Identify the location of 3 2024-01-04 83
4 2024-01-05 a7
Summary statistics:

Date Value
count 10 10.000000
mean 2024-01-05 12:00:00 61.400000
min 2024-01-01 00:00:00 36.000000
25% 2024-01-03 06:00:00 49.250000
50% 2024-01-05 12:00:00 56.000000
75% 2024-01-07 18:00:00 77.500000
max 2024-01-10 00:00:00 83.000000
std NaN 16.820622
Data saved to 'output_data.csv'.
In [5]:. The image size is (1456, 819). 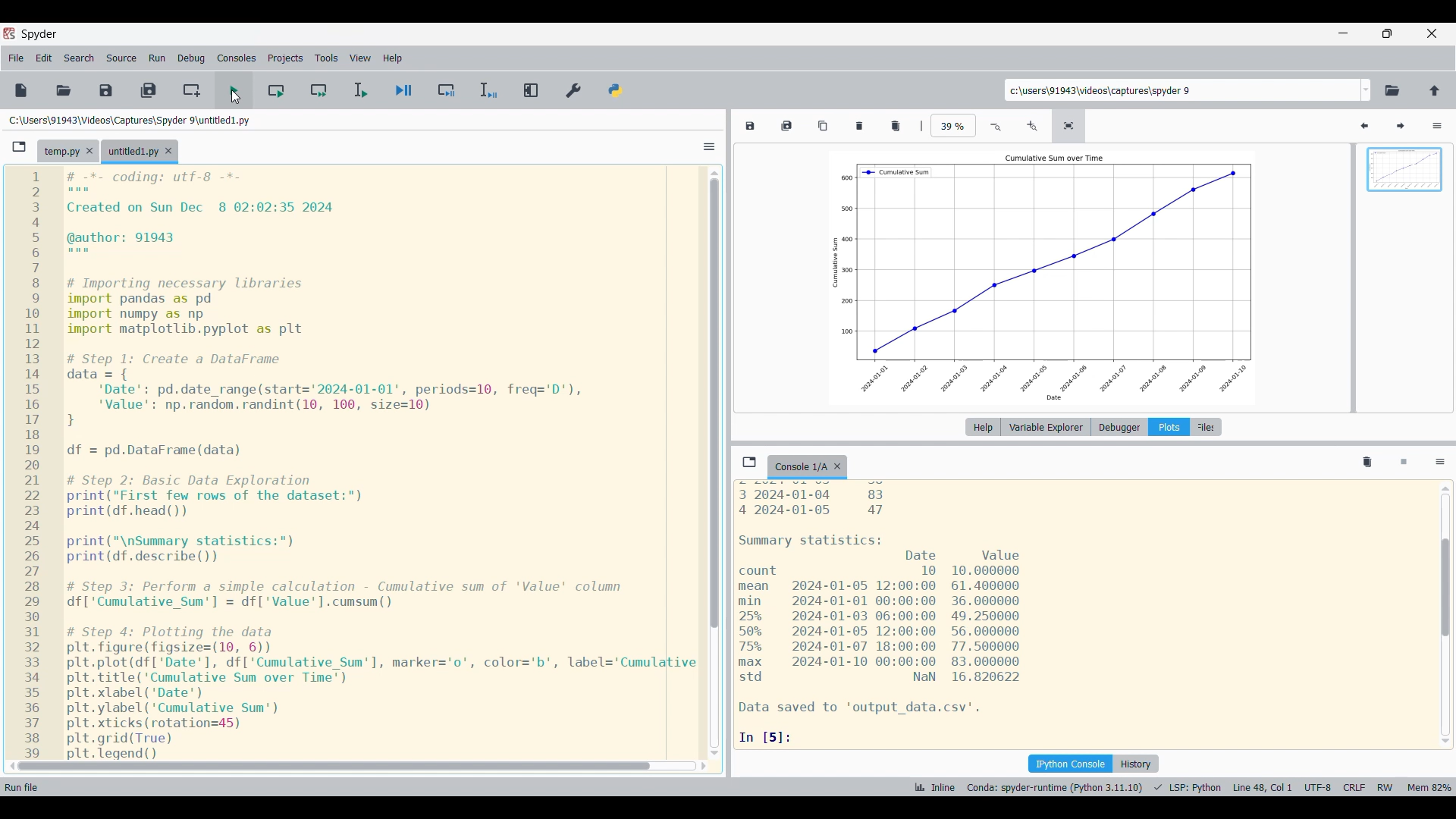
(1081, 610).